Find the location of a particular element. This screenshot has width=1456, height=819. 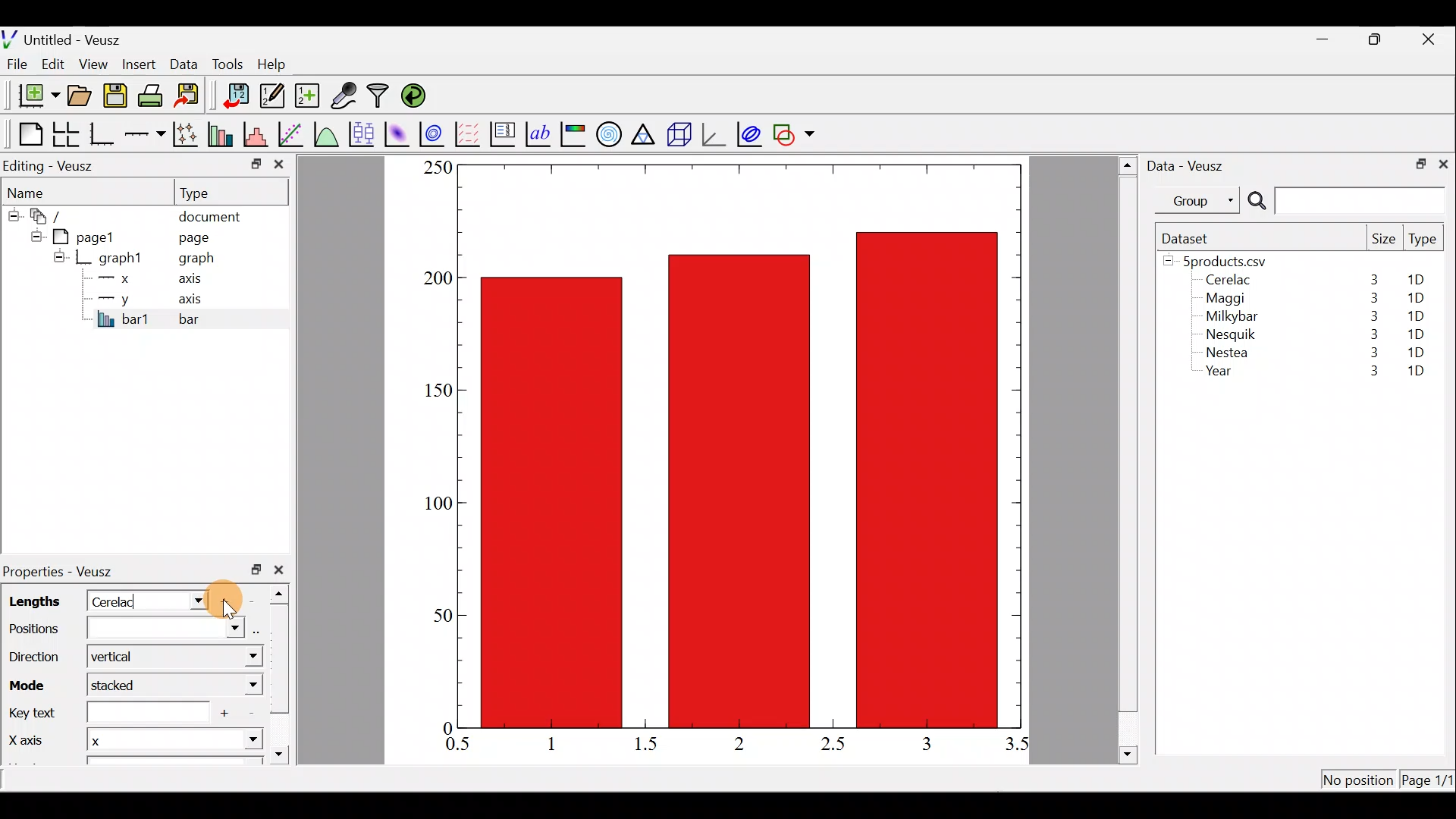

Text label is located at coordinates (540, 132).